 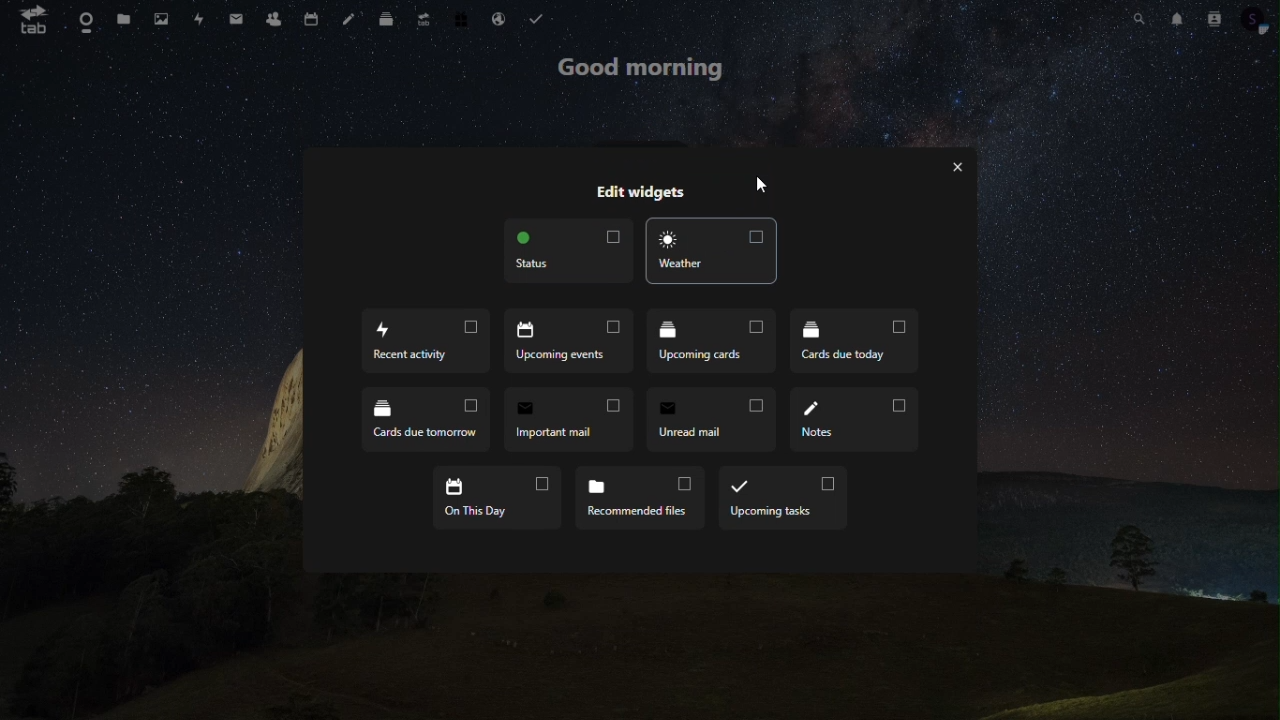 I want to click on tasks, so click(x=536, y=17).